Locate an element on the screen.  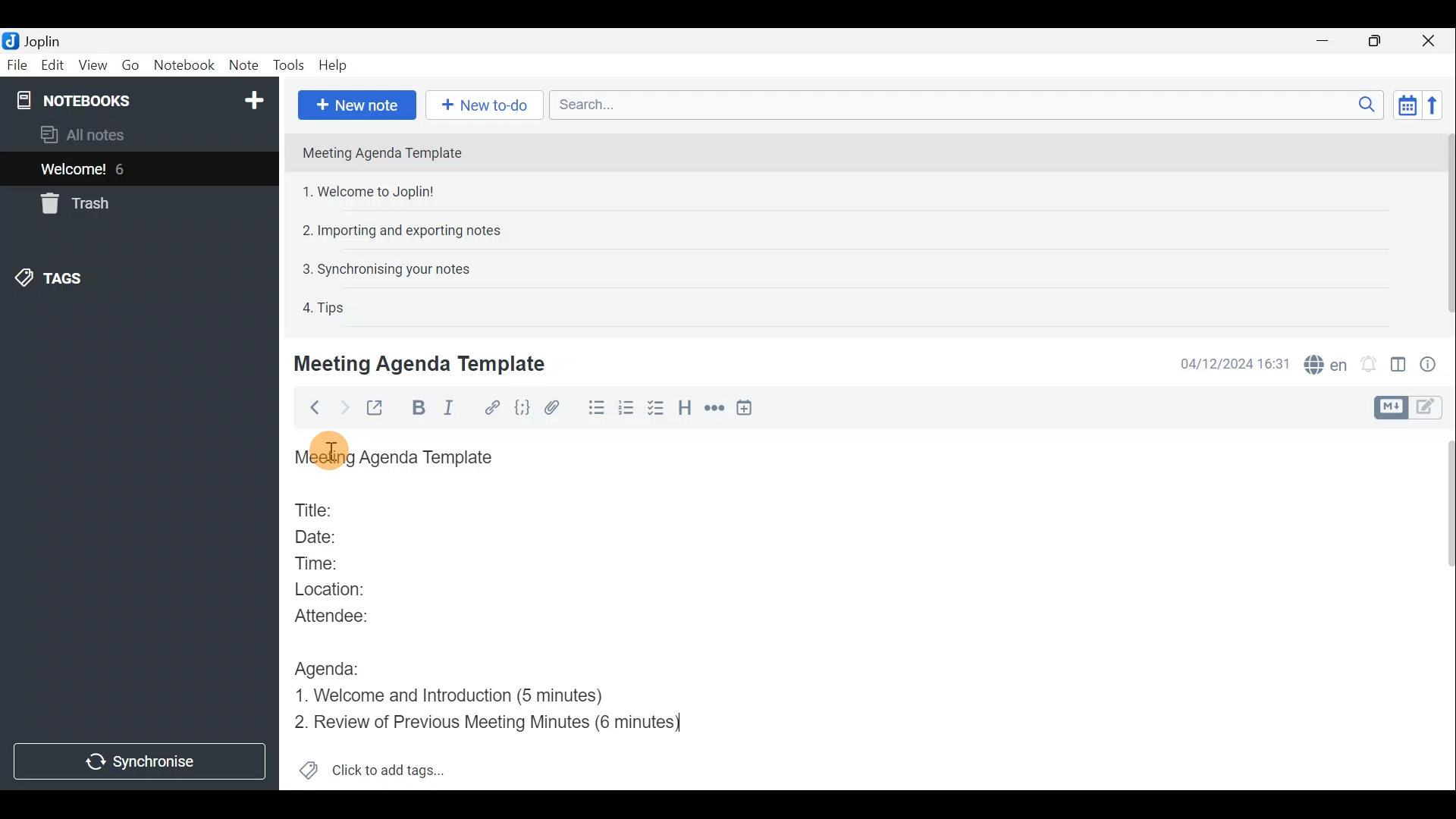
New note is located at coordinates (357, 105).